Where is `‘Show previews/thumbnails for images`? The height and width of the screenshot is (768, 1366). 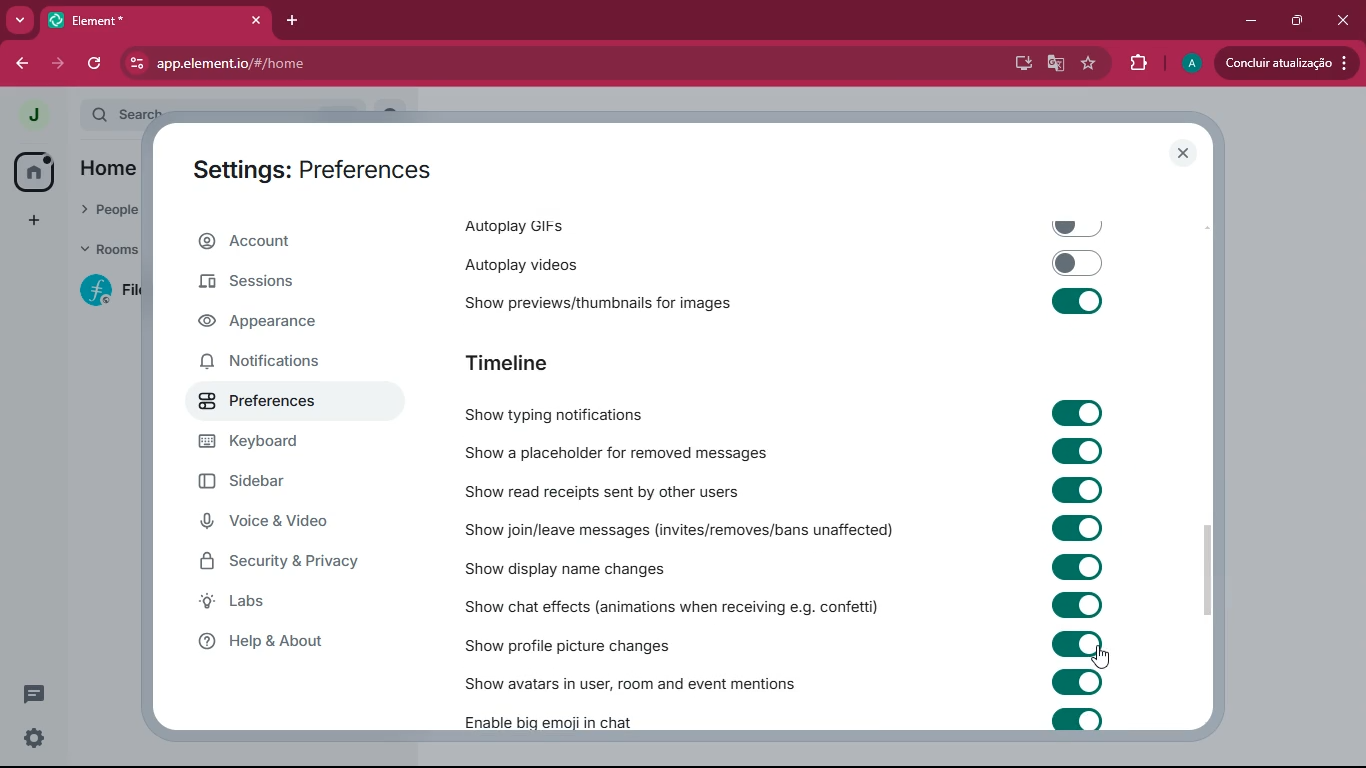 ‘Show previews/thumbnails for images is located at coordinates (785, 300).